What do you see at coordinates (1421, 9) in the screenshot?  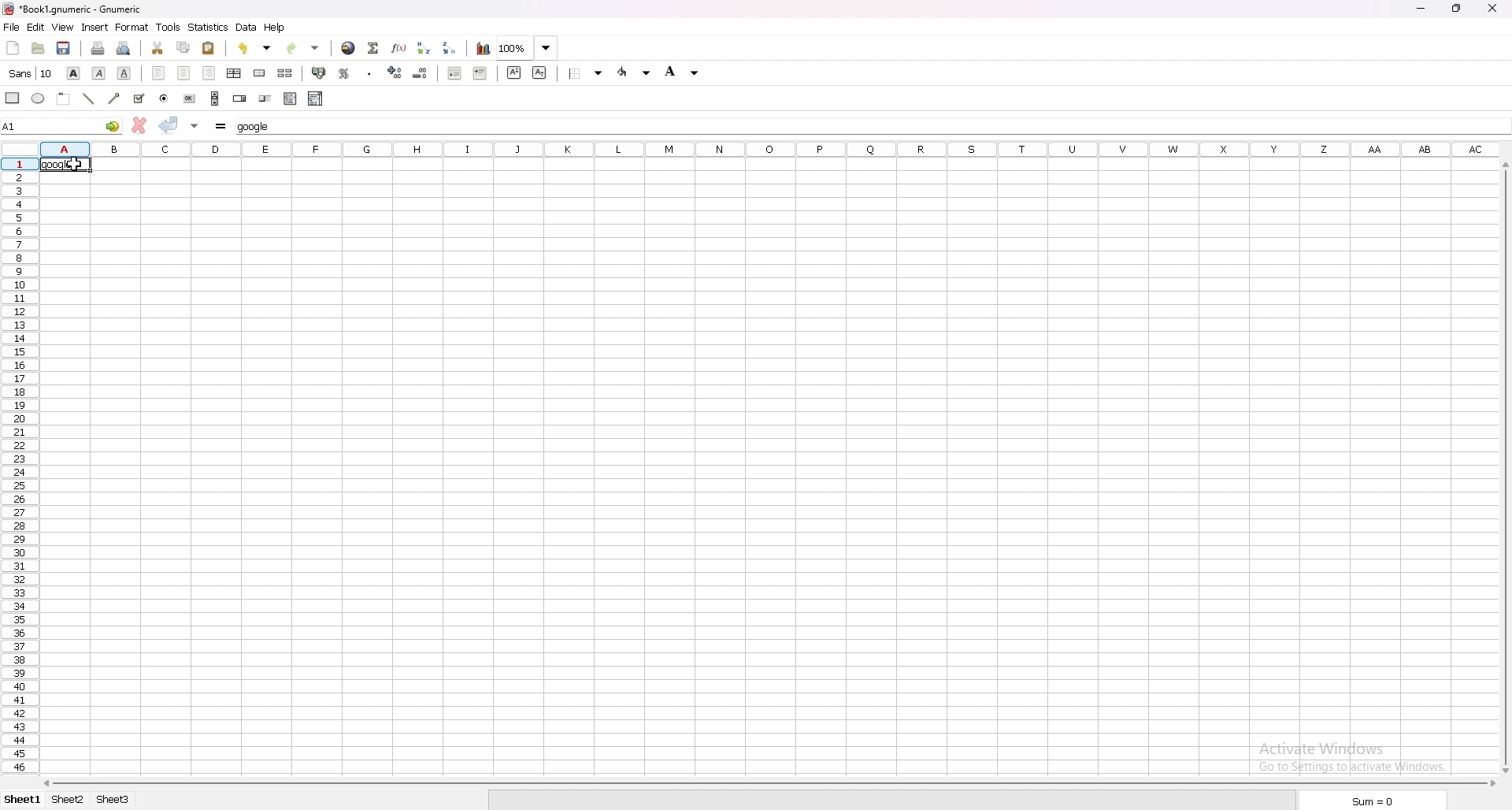 I see `minimize` at bounding box center [1421, 9].